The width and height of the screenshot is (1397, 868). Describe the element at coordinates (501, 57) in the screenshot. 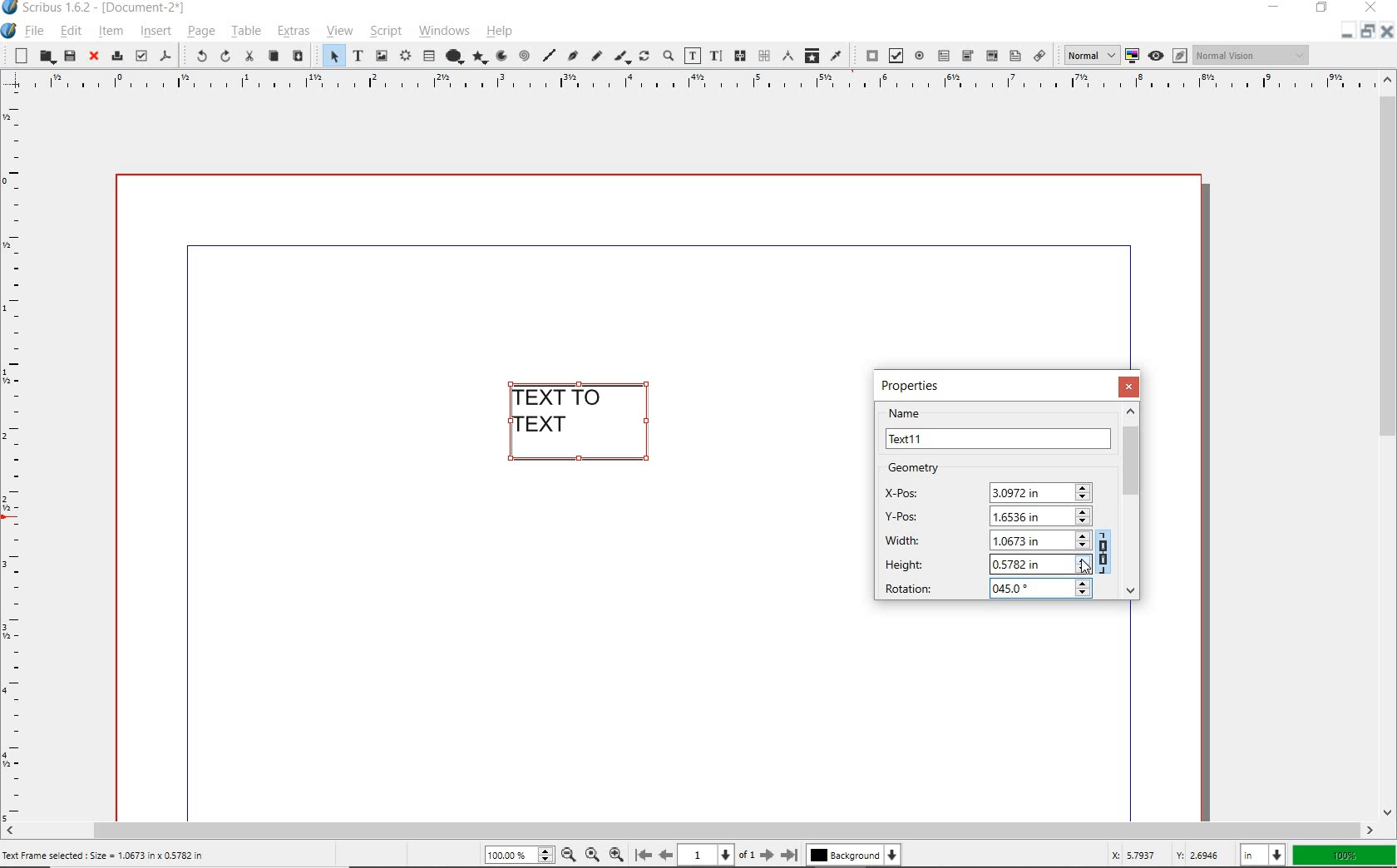

I see `arc` at that location.